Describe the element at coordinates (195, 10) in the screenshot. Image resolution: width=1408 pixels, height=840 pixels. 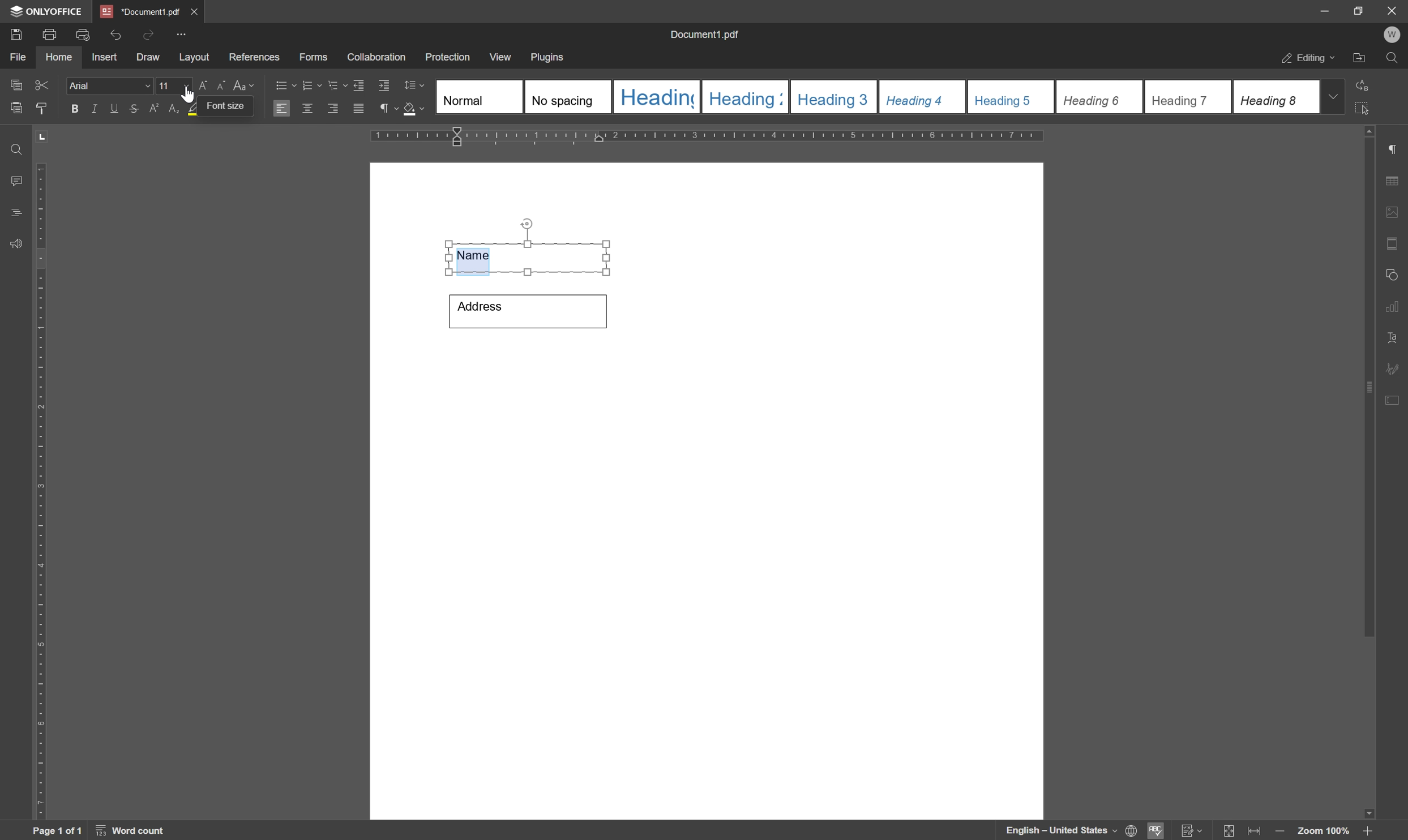
I see `close` at that location.